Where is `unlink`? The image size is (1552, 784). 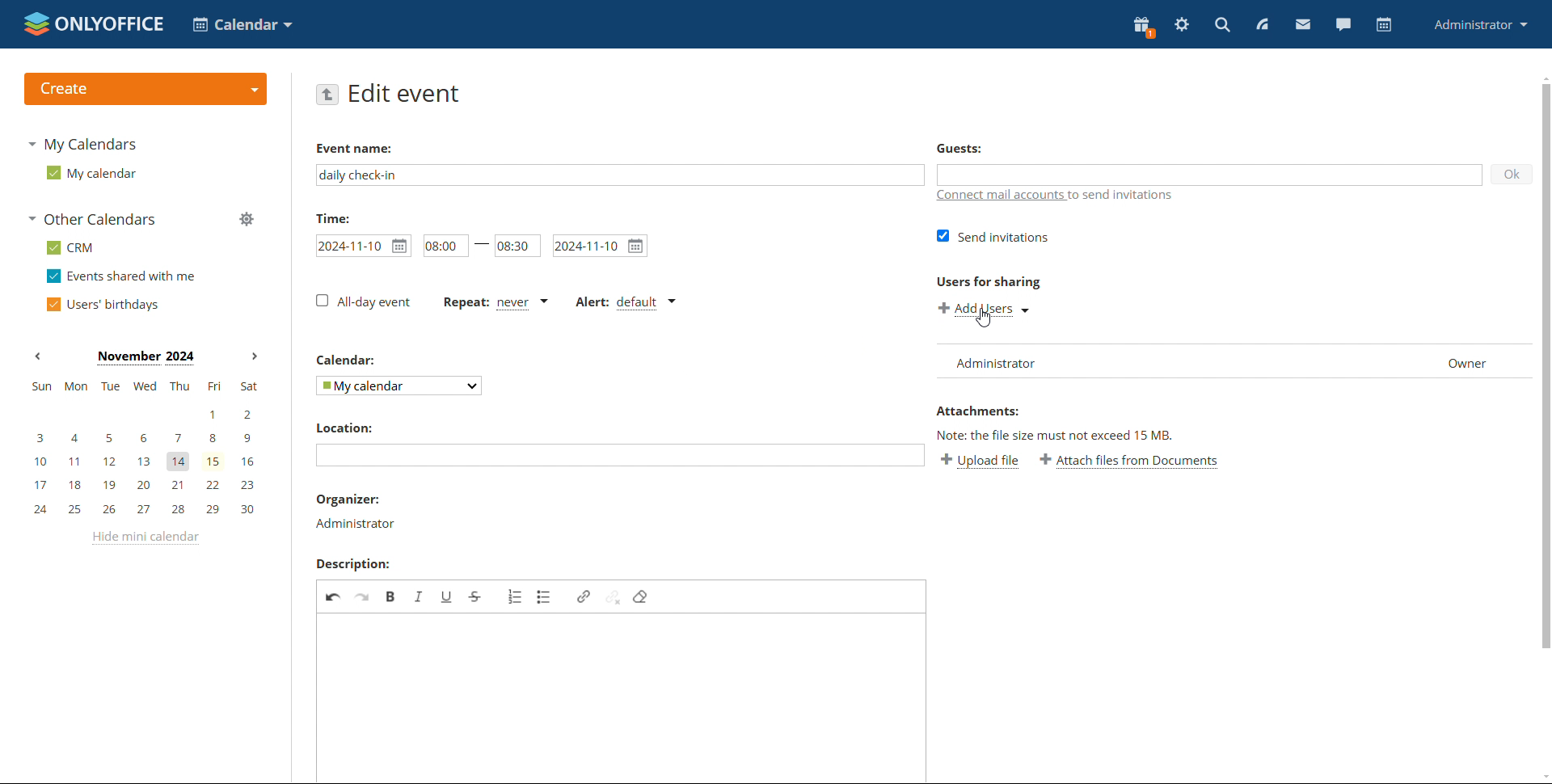
unlink is located at coordinates (614, 595).